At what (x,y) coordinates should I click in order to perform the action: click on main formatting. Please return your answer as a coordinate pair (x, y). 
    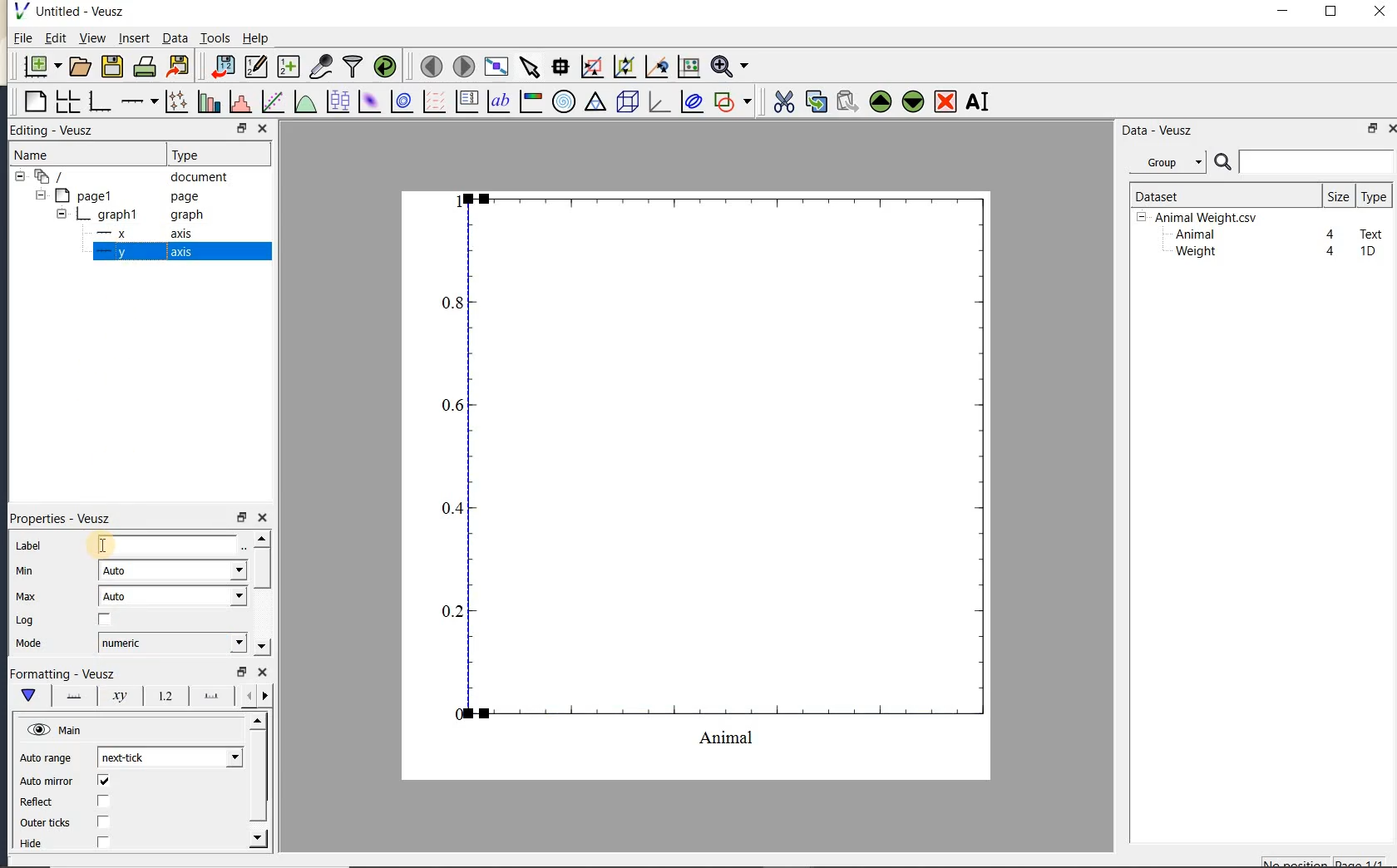
    Looking at the image, I should click on (27, 695).